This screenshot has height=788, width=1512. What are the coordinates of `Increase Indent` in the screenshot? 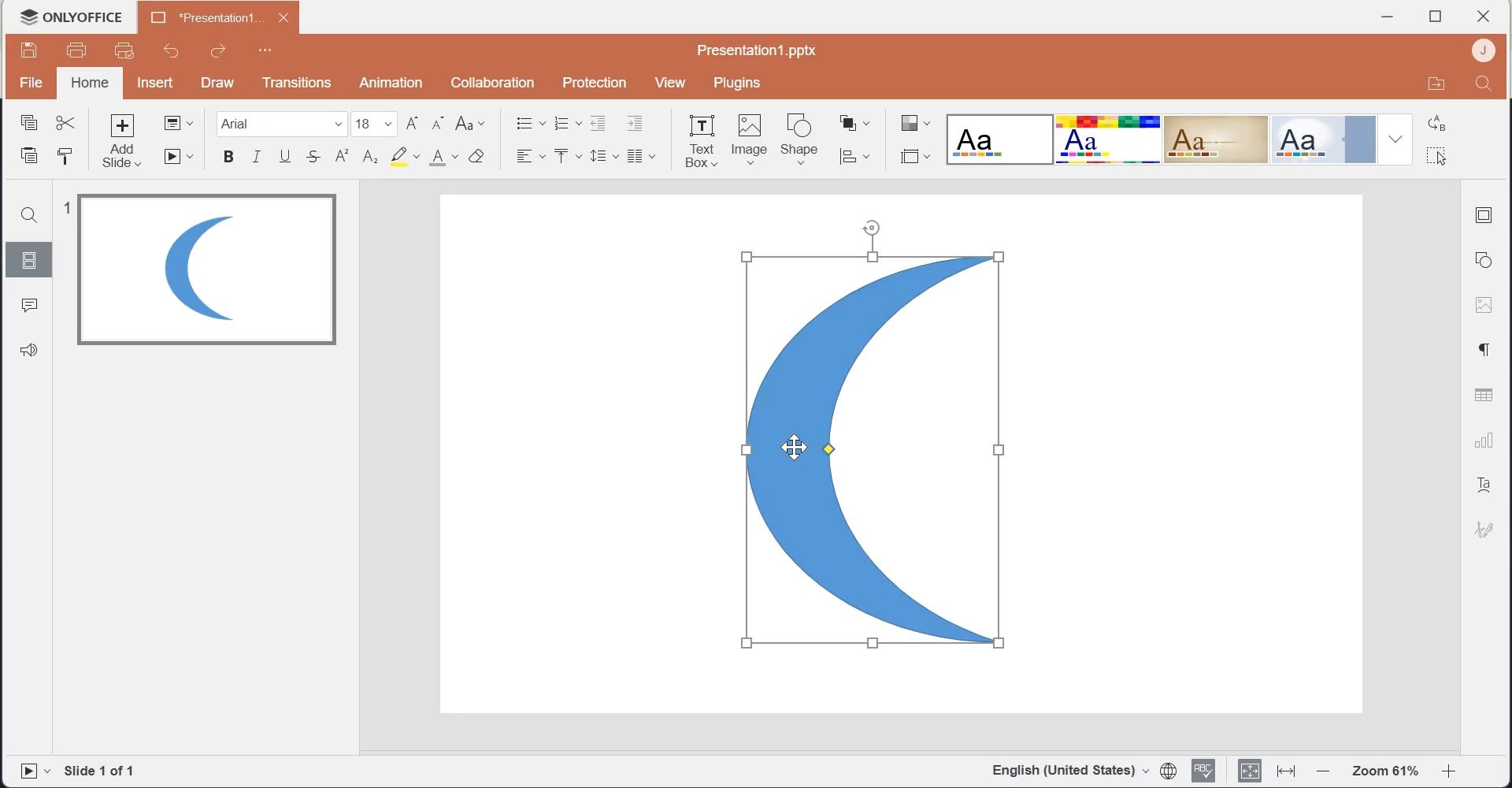 It's located at (634, 124).